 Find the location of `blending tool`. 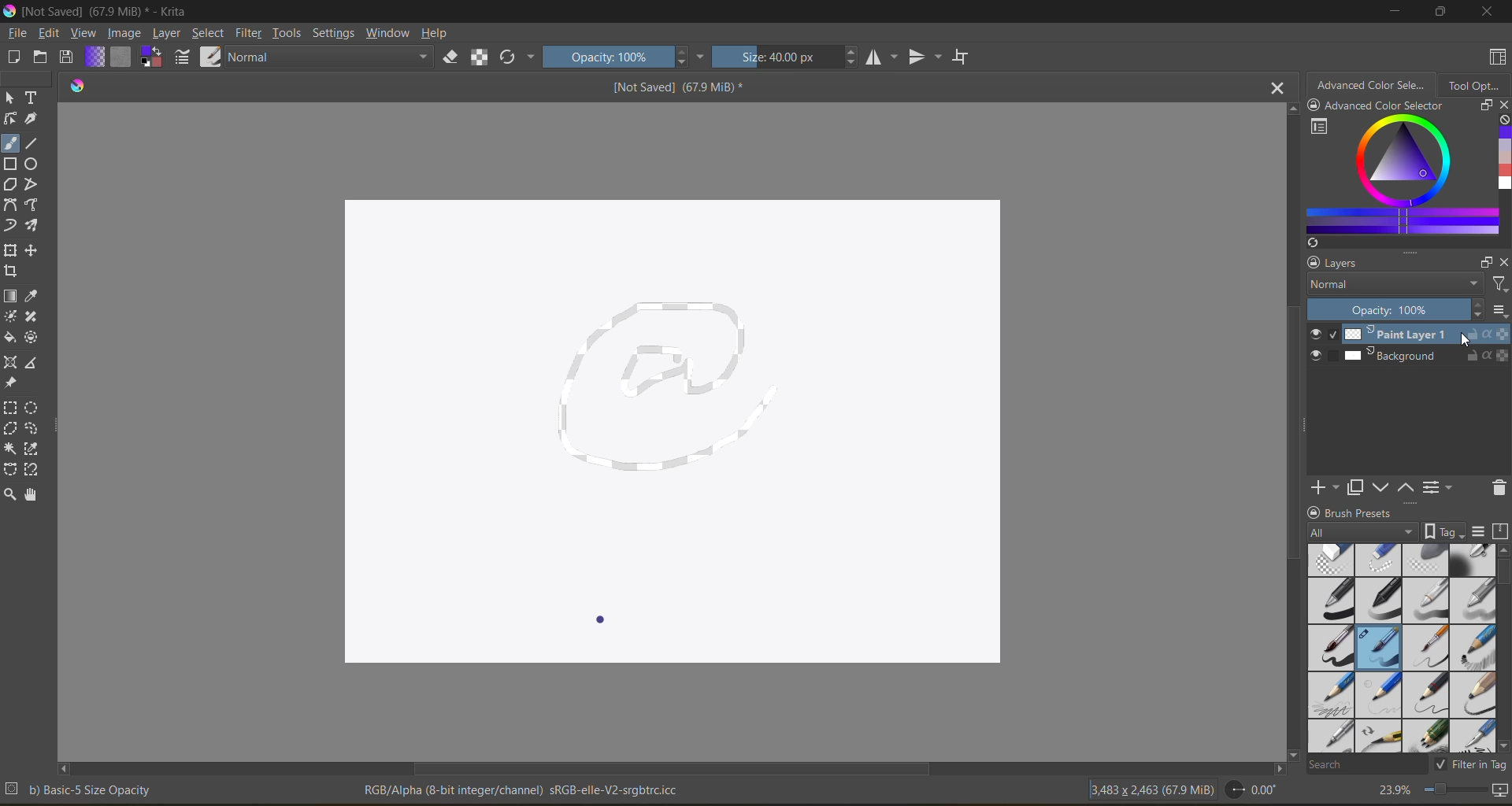

blending tool is located at coordinates (1470, 560).